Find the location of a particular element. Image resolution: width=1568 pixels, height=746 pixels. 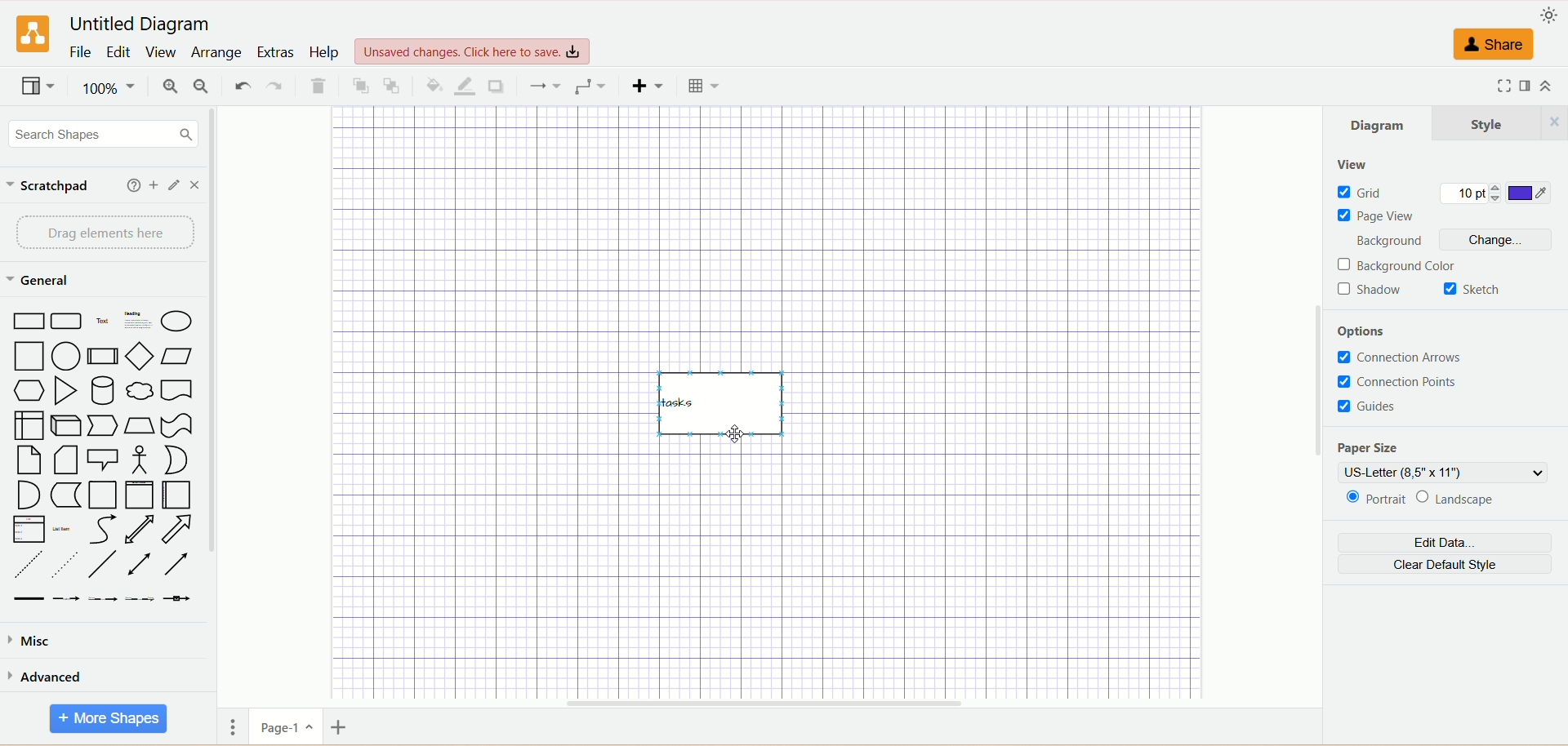

US-letter (8,5" x 11") is located at coordinates (1442, 473).